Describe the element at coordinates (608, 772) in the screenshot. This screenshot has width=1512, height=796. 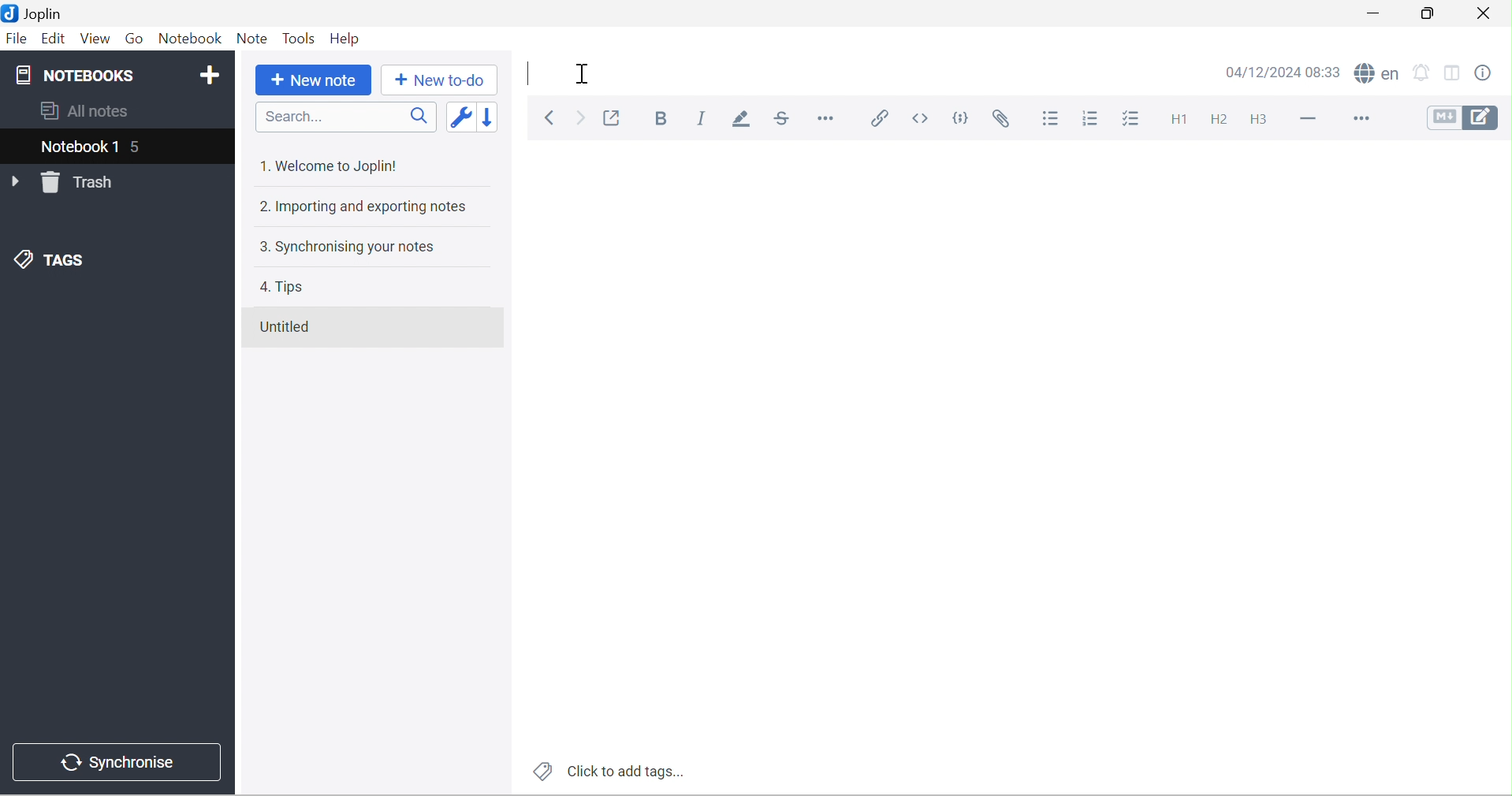
I see `Click to add tags` at that location.